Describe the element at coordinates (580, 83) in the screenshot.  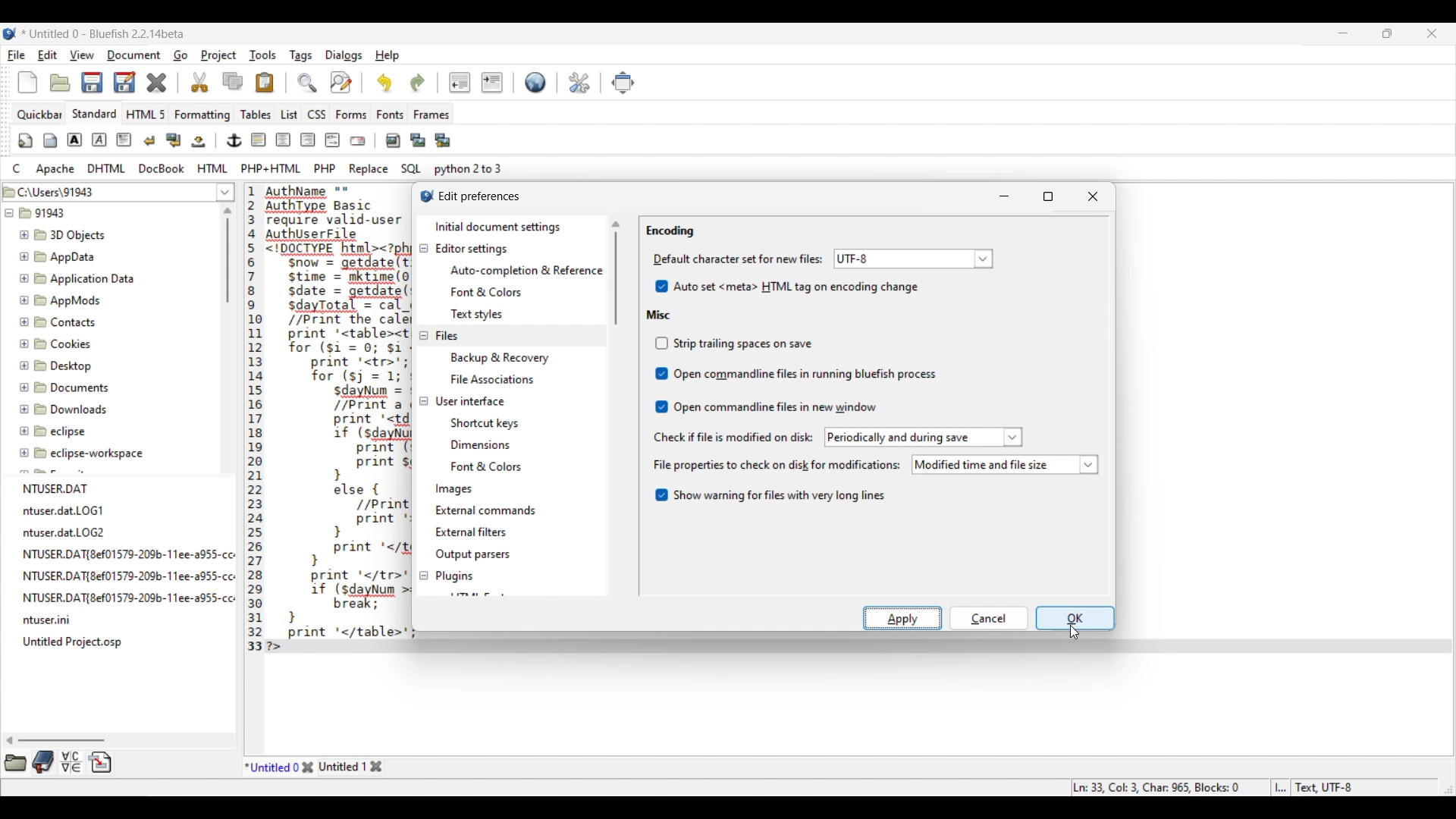
I see `Edit preferences highlighted by cursor` at that location.